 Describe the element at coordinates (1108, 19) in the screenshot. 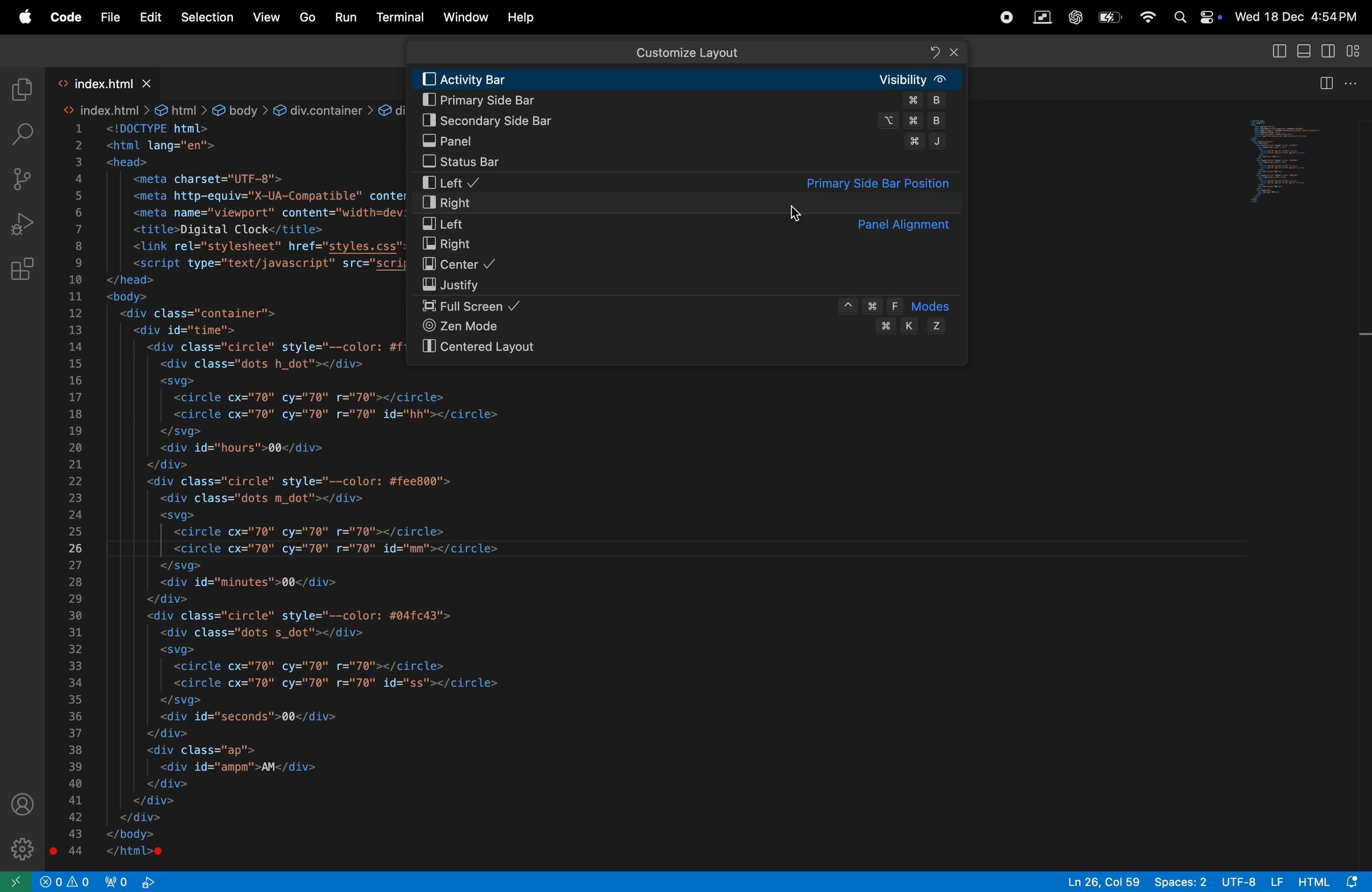

I see `battery` at that location.